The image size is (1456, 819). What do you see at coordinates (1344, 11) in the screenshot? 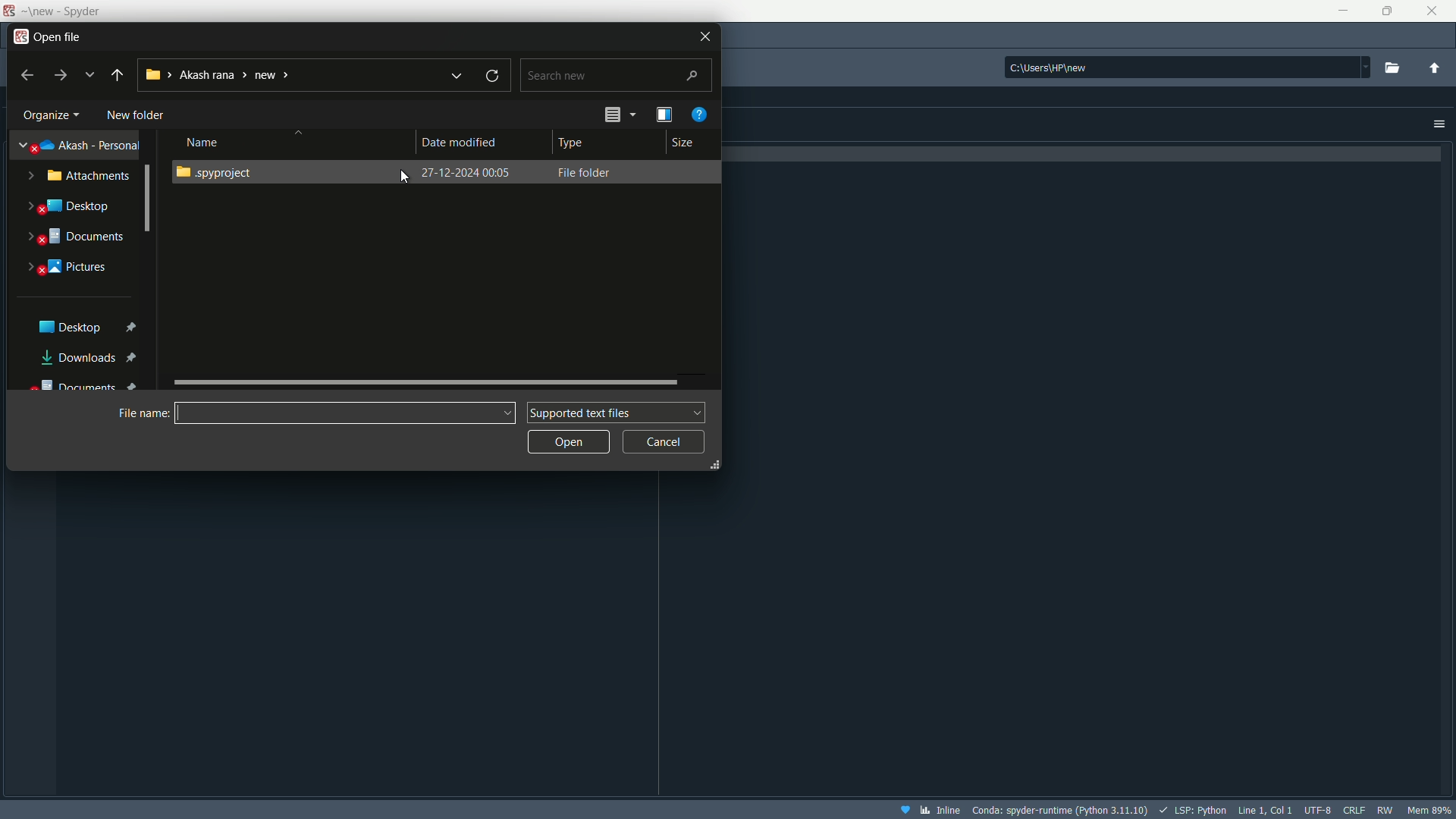
I see `minimize` at bounding box center [1344, 11].